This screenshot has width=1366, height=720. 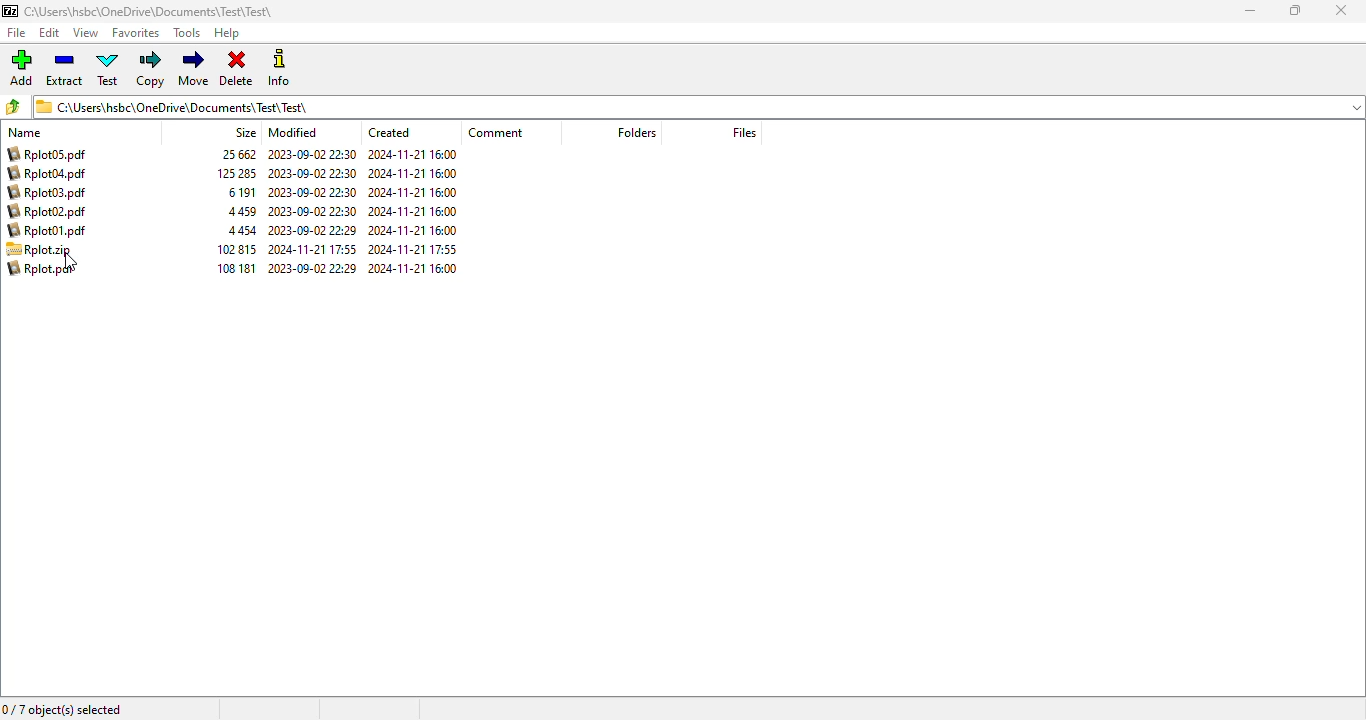 What do you see at coordinates (637, 133) in the screenshot?
I see `folders` at bounding box center [637, 133].